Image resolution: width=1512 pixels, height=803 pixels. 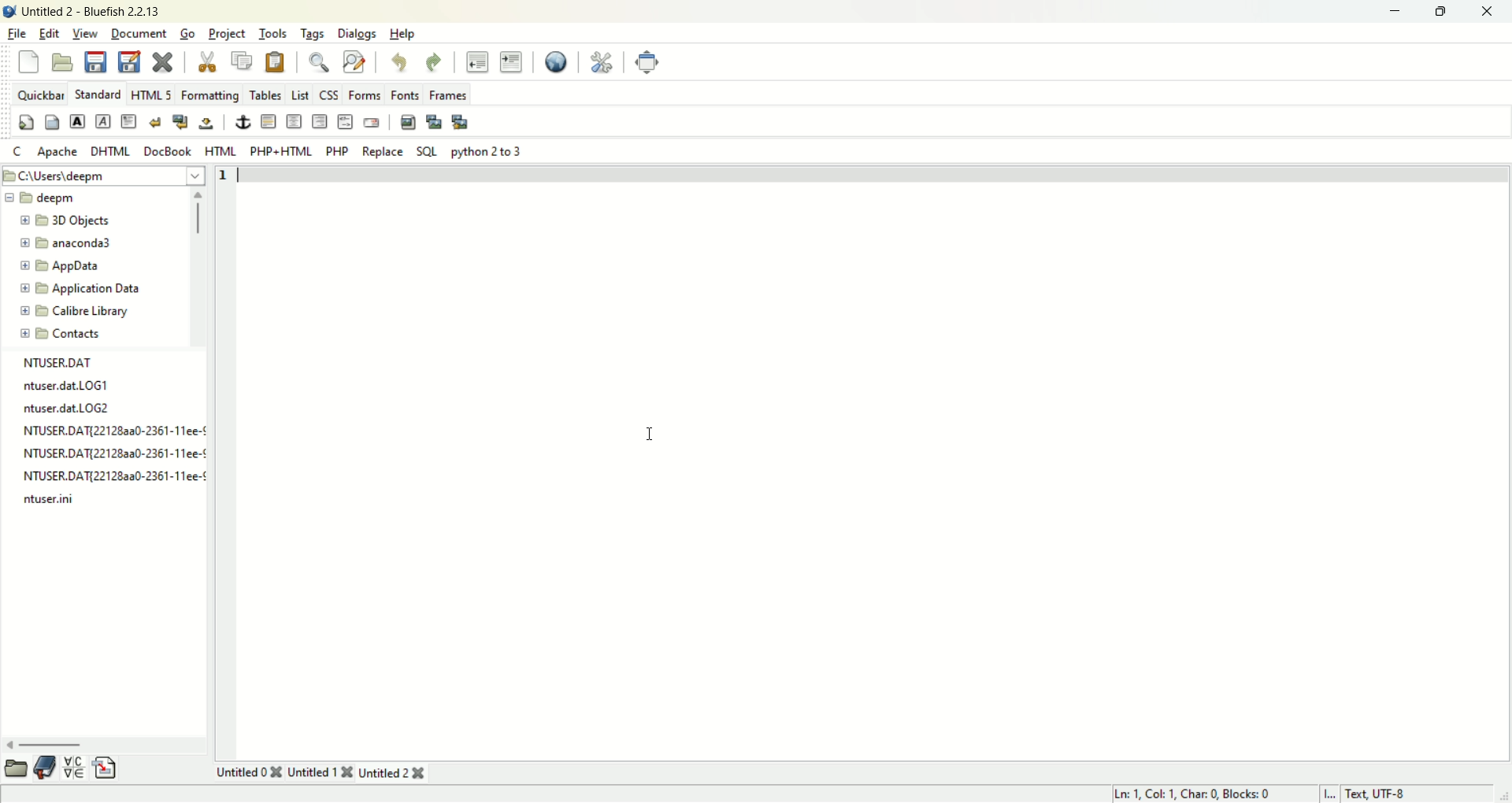 What do you see at coordinates (24, 122) in the screenshot?
I see `quick start` at bounding box center [24, 122].